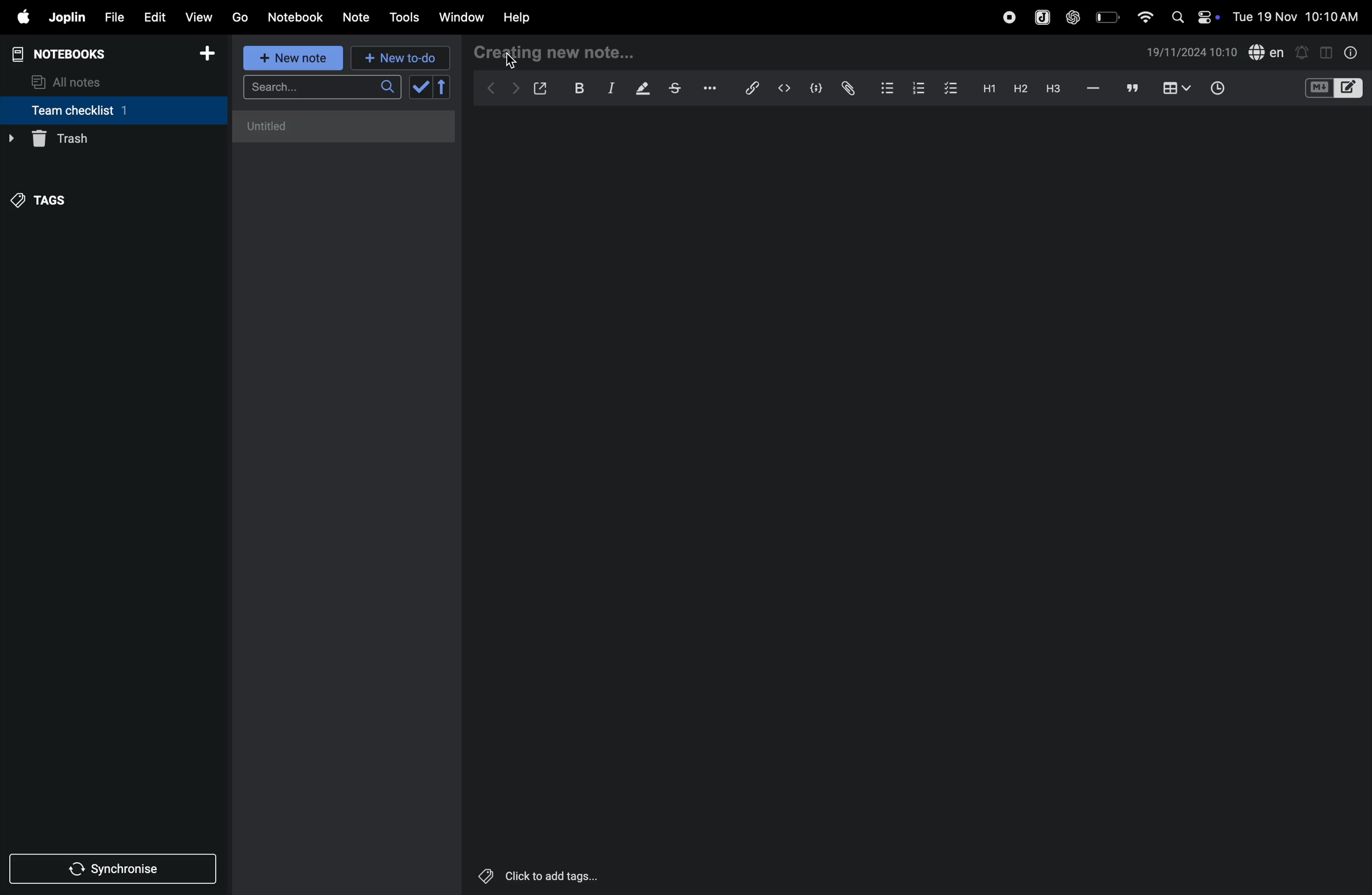 The width and height of the screenshot is (1372, 895). Describe the element at coordinates (674, 88) in the screenshot. I see `strike through` at that location.